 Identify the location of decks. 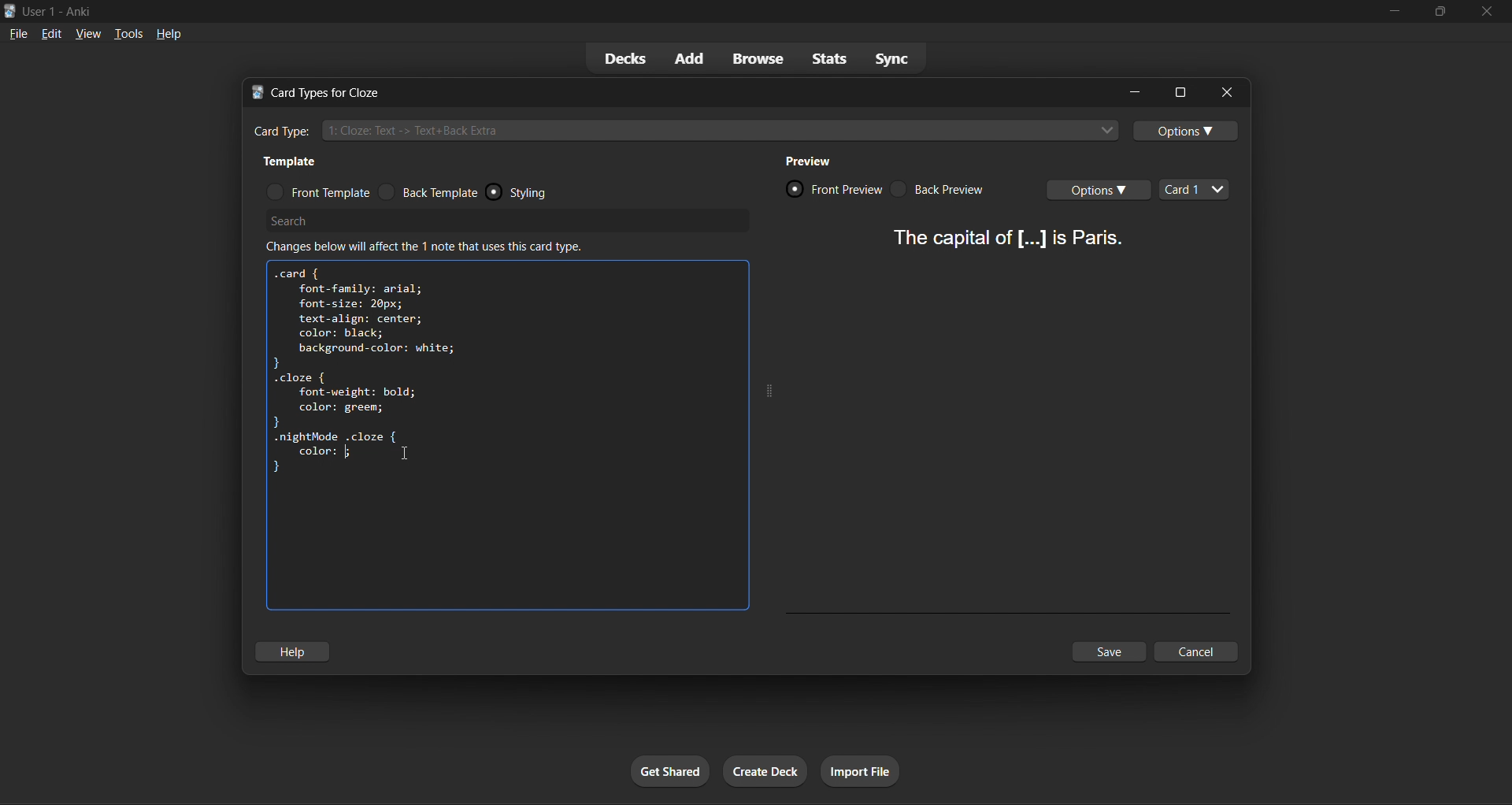
(622, 58).